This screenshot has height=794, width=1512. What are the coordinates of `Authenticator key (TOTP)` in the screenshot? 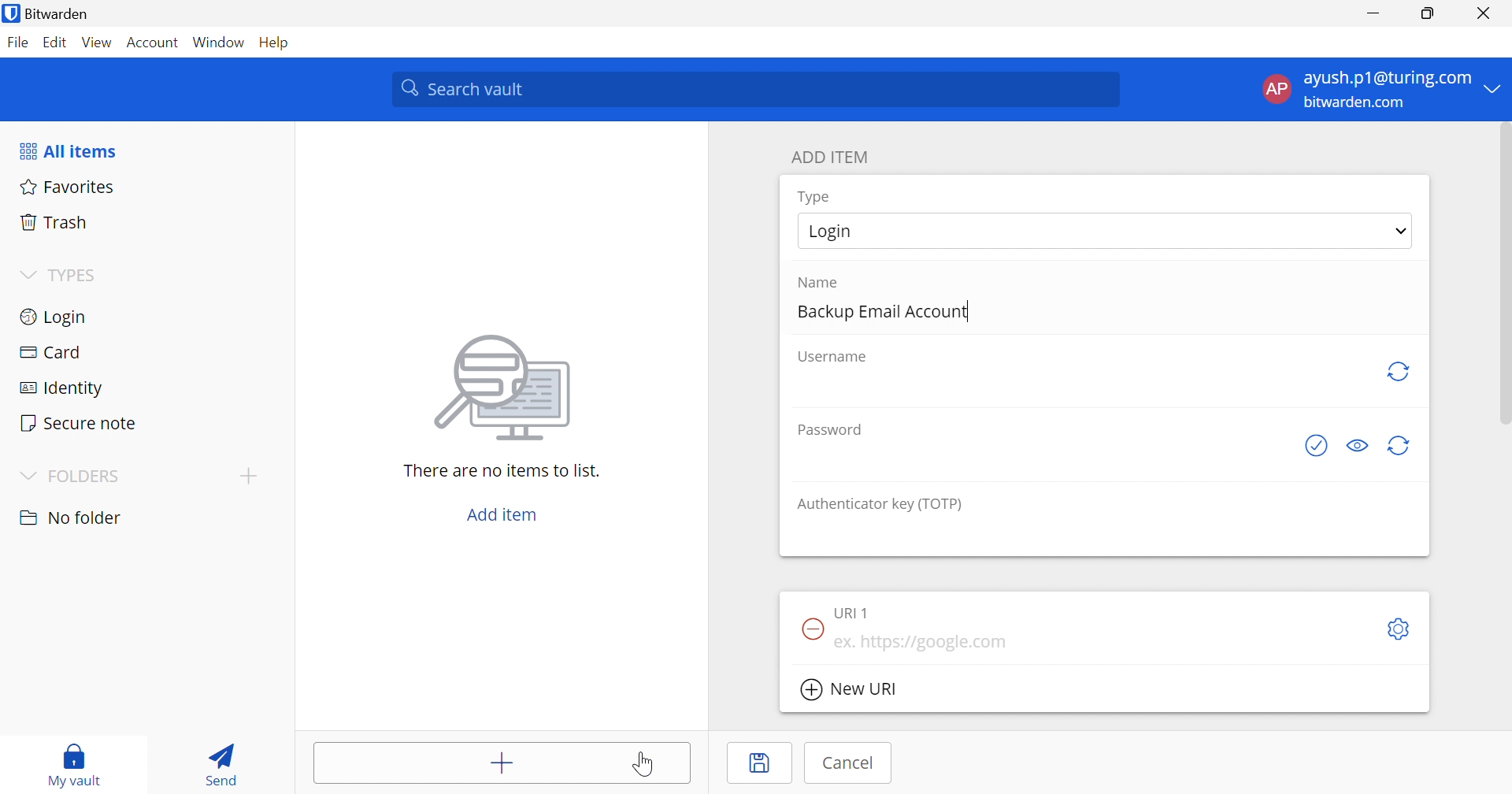 It's located at (880, 506).